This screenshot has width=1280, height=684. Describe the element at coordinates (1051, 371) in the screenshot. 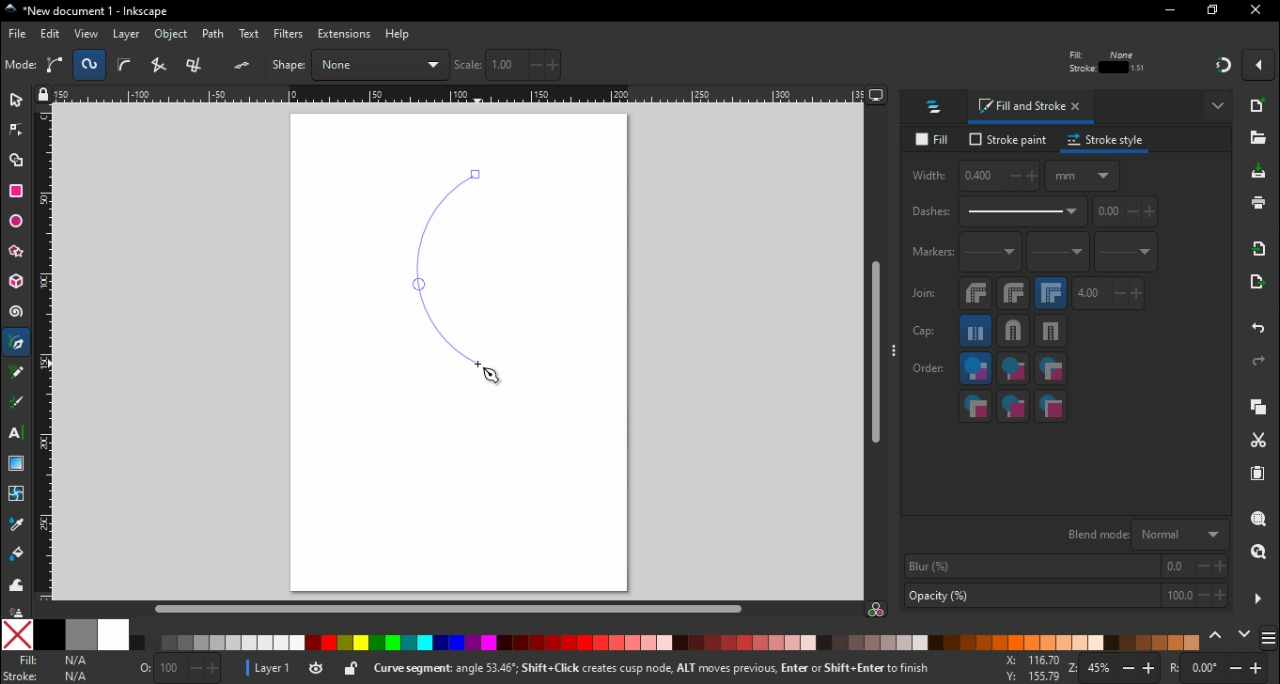

I see `fill, markers, stroke` at that location.